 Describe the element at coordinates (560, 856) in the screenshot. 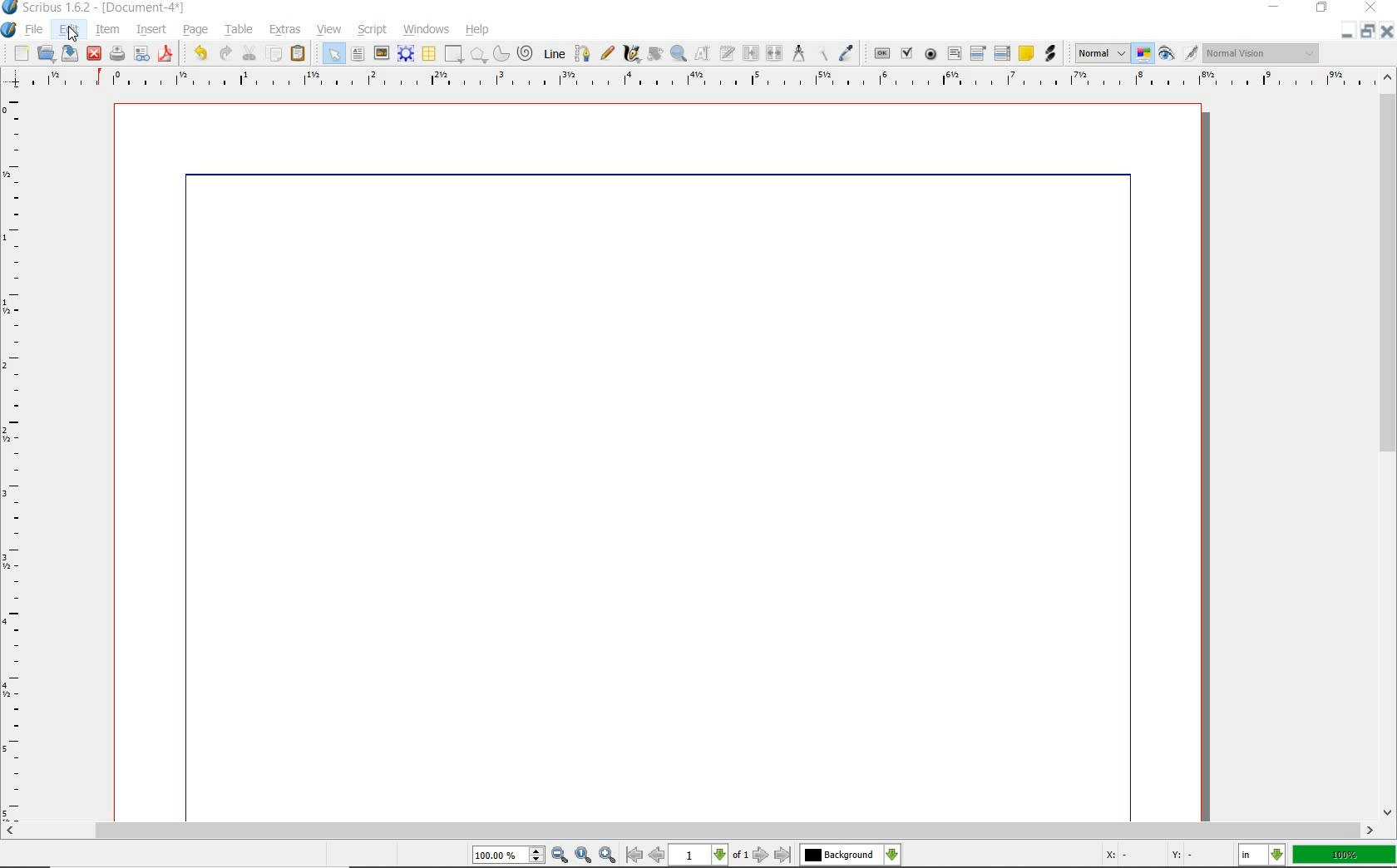

I see `zoom out` at that location.